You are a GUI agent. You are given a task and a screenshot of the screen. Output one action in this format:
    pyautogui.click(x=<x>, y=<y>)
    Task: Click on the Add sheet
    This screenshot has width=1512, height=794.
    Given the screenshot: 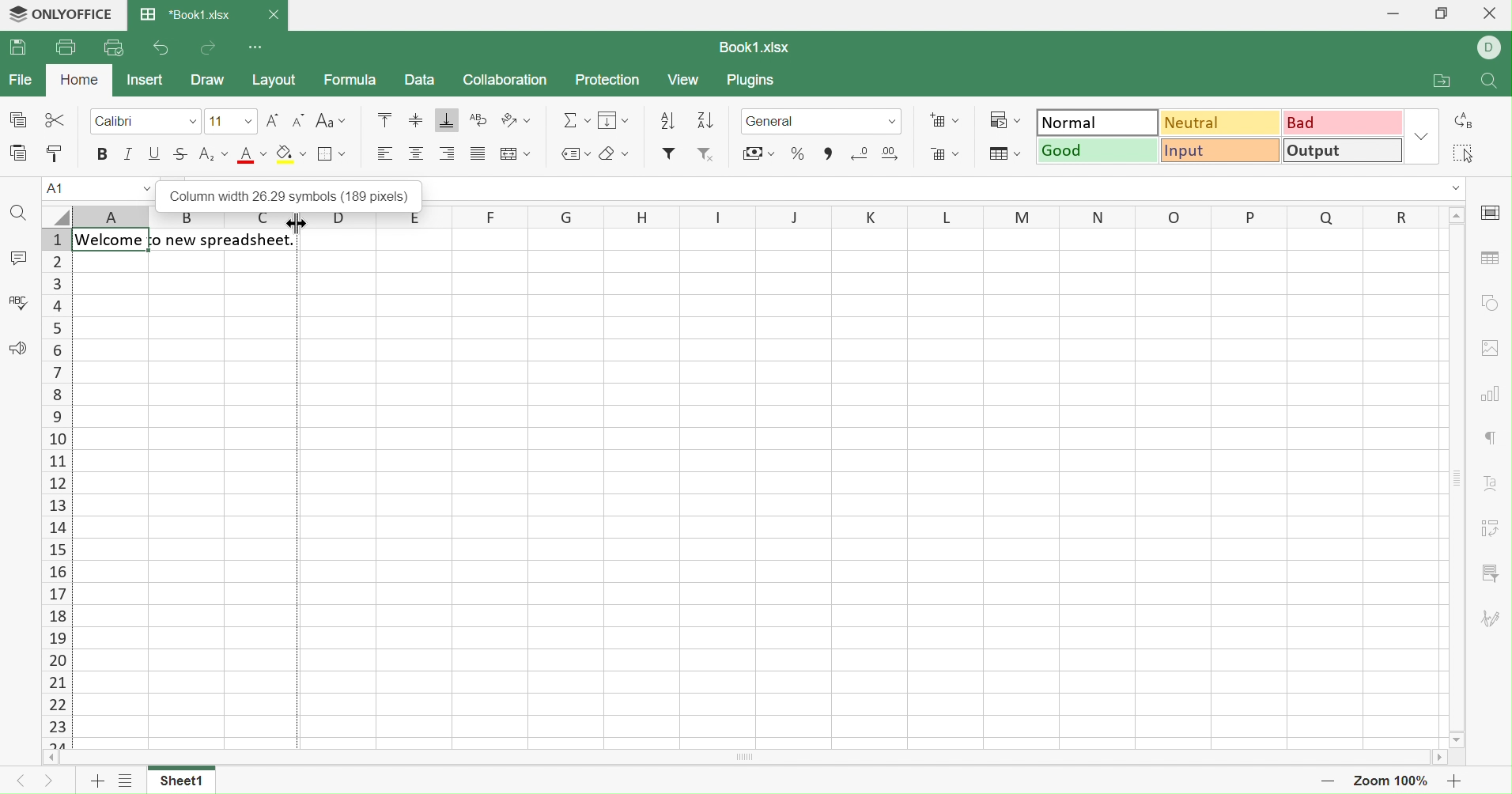 What is the action you would take?
    pyautogui.click(x=96, y=783)
    